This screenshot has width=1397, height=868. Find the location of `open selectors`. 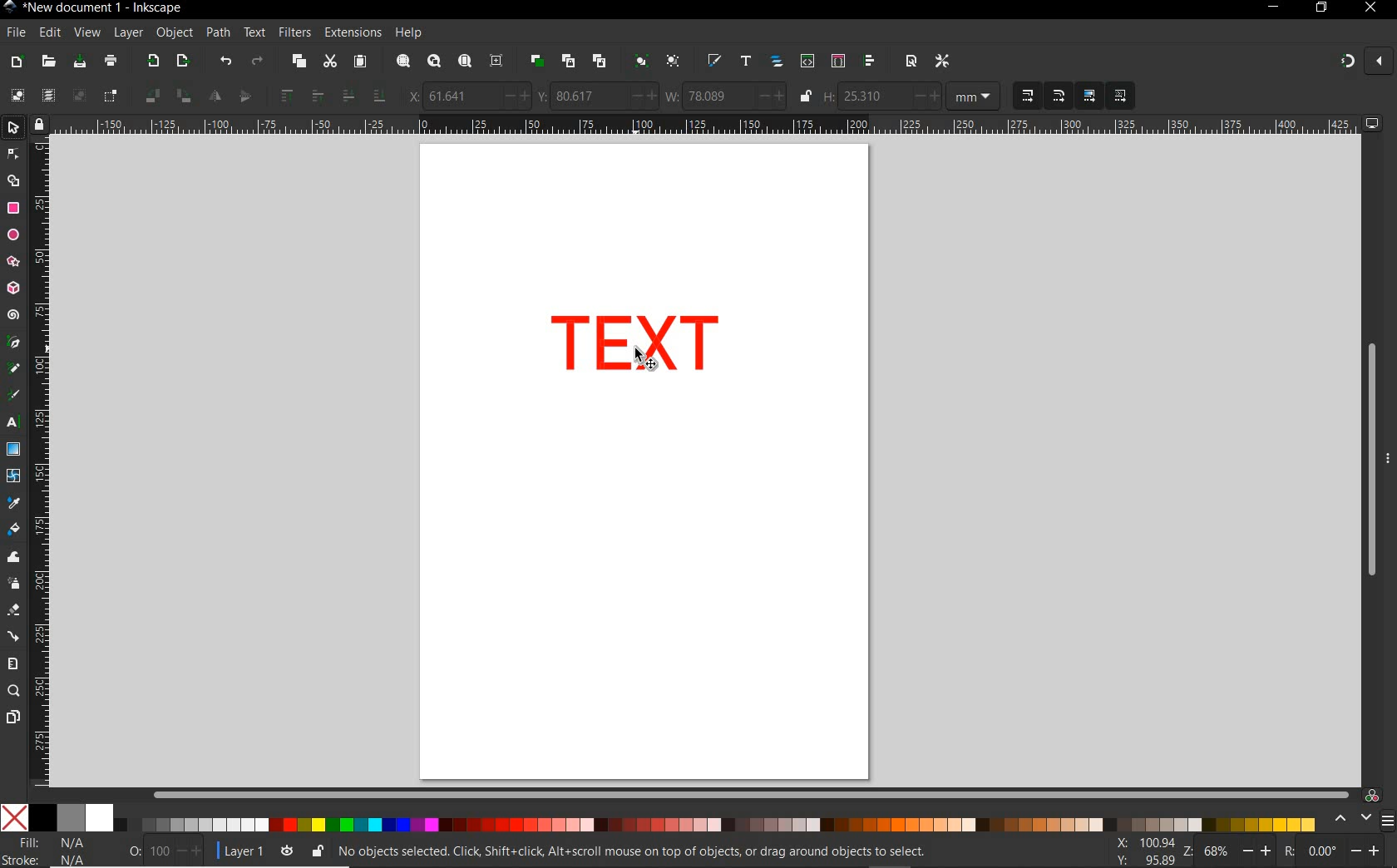

open selectors is located at coordinates (837, 62).